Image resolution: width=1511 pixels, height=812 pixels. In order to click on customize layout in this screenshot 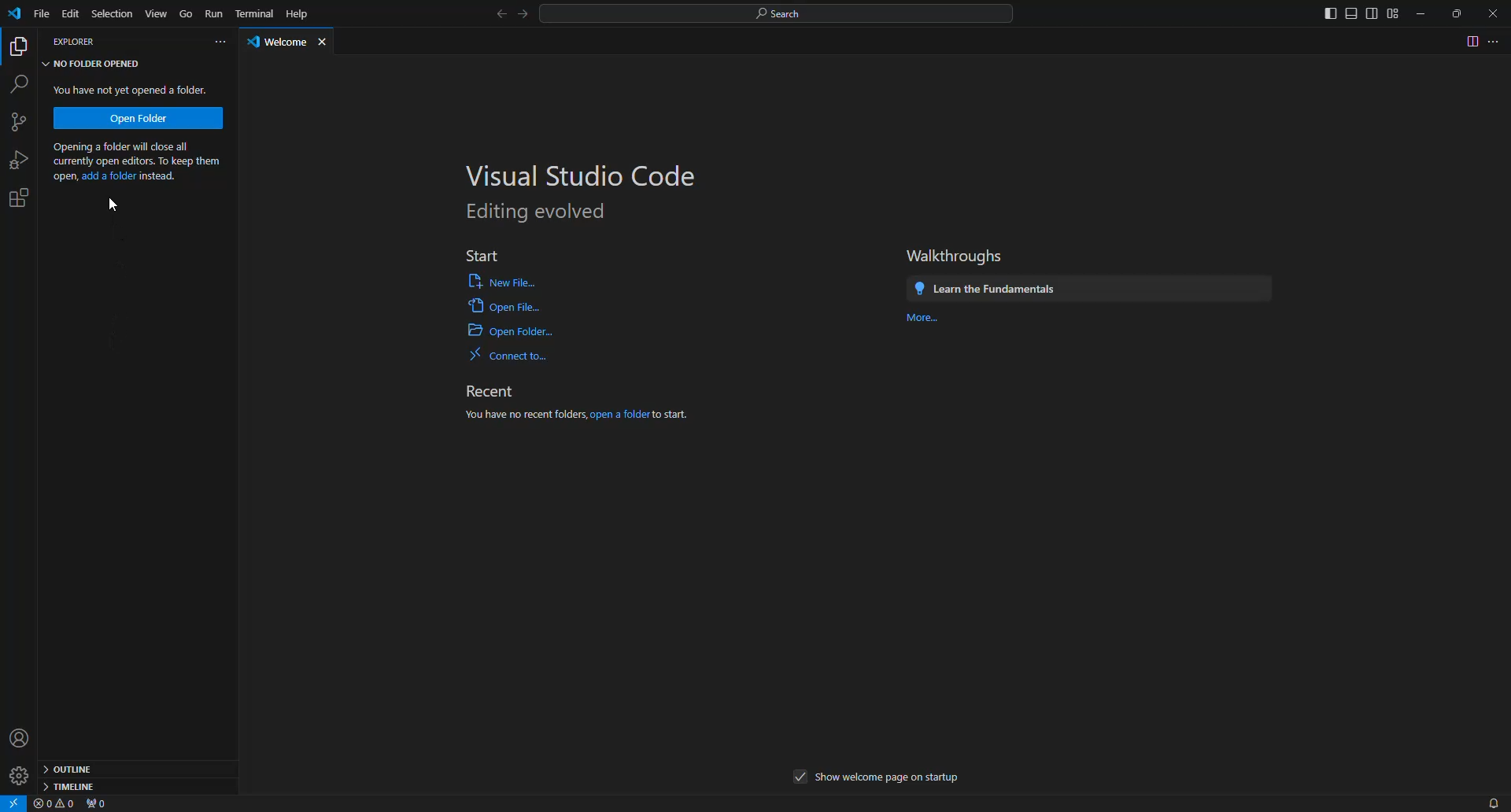, I will do `click(1395, 13)`.